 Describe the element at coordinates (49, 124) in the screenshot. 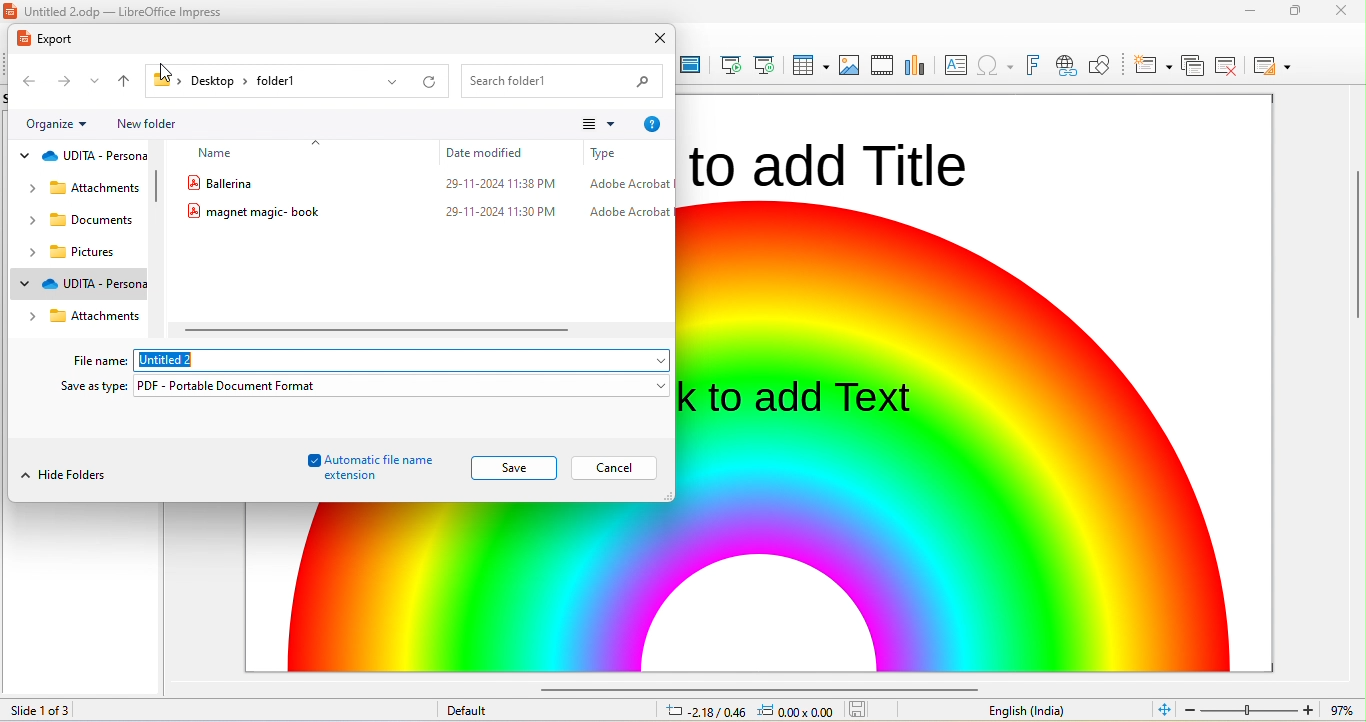

I see `organize` at that location.